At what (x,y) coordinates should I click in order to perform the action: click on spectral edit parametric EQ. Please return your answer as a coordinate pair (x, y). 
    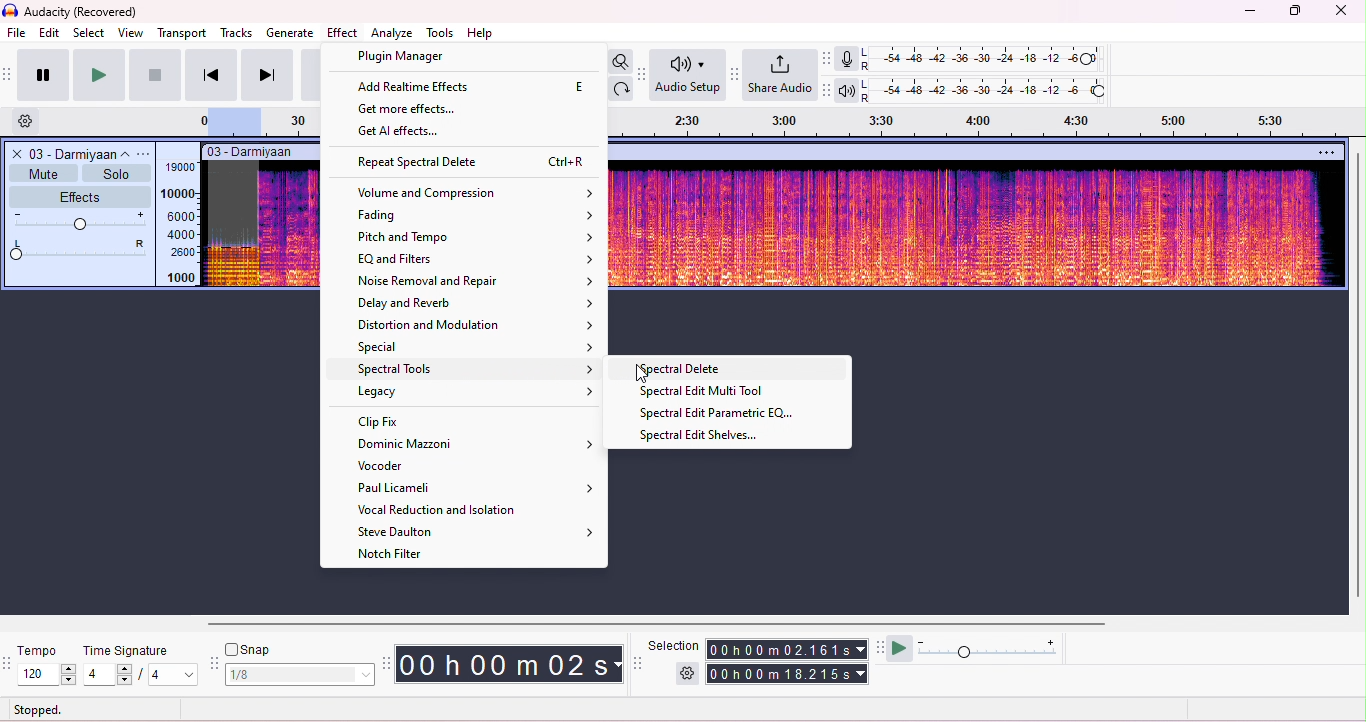
    Looking at the image, I should click on (723, 413).